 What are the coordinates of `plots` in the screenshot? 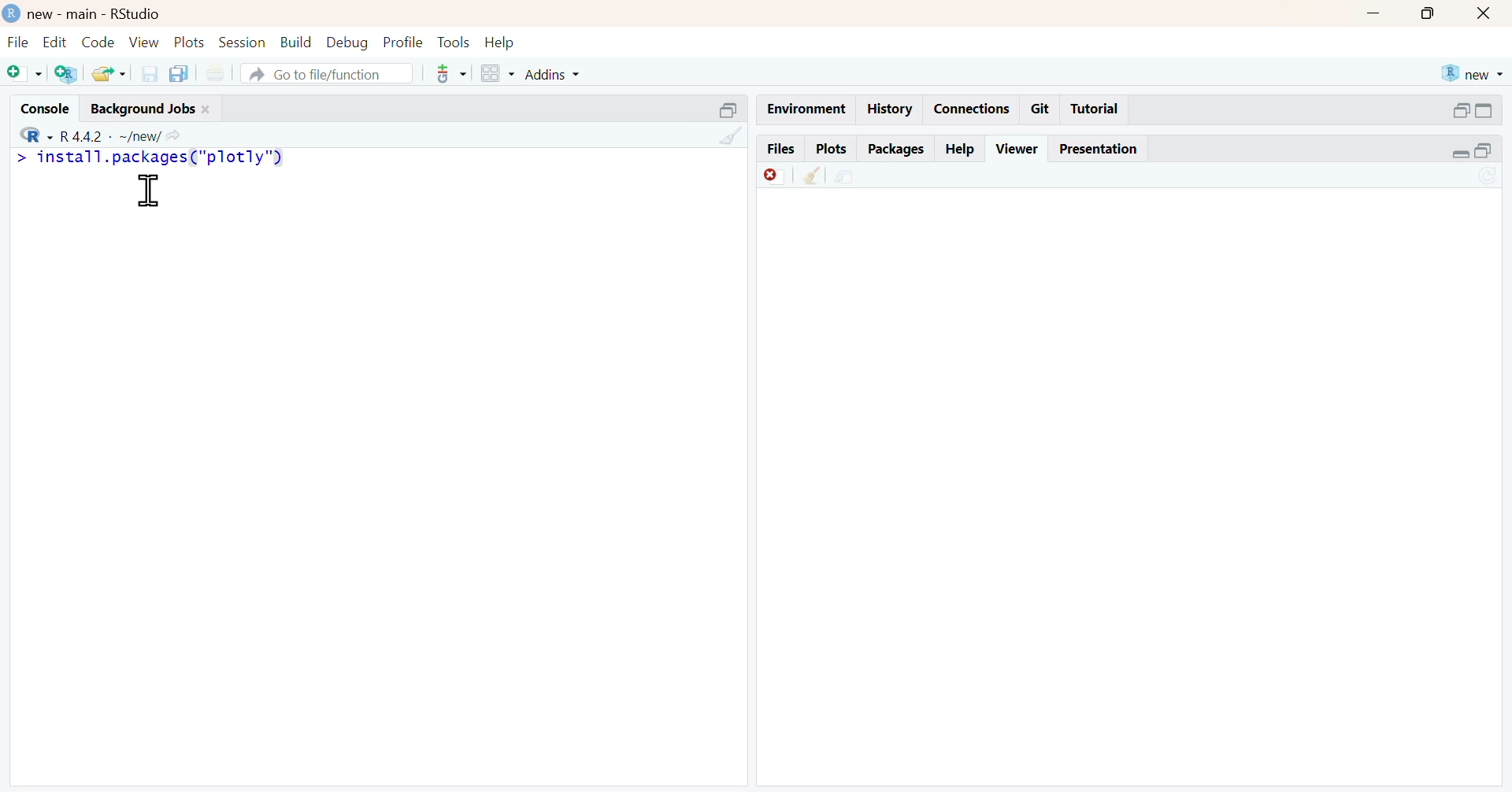 It's located at (191, 43).